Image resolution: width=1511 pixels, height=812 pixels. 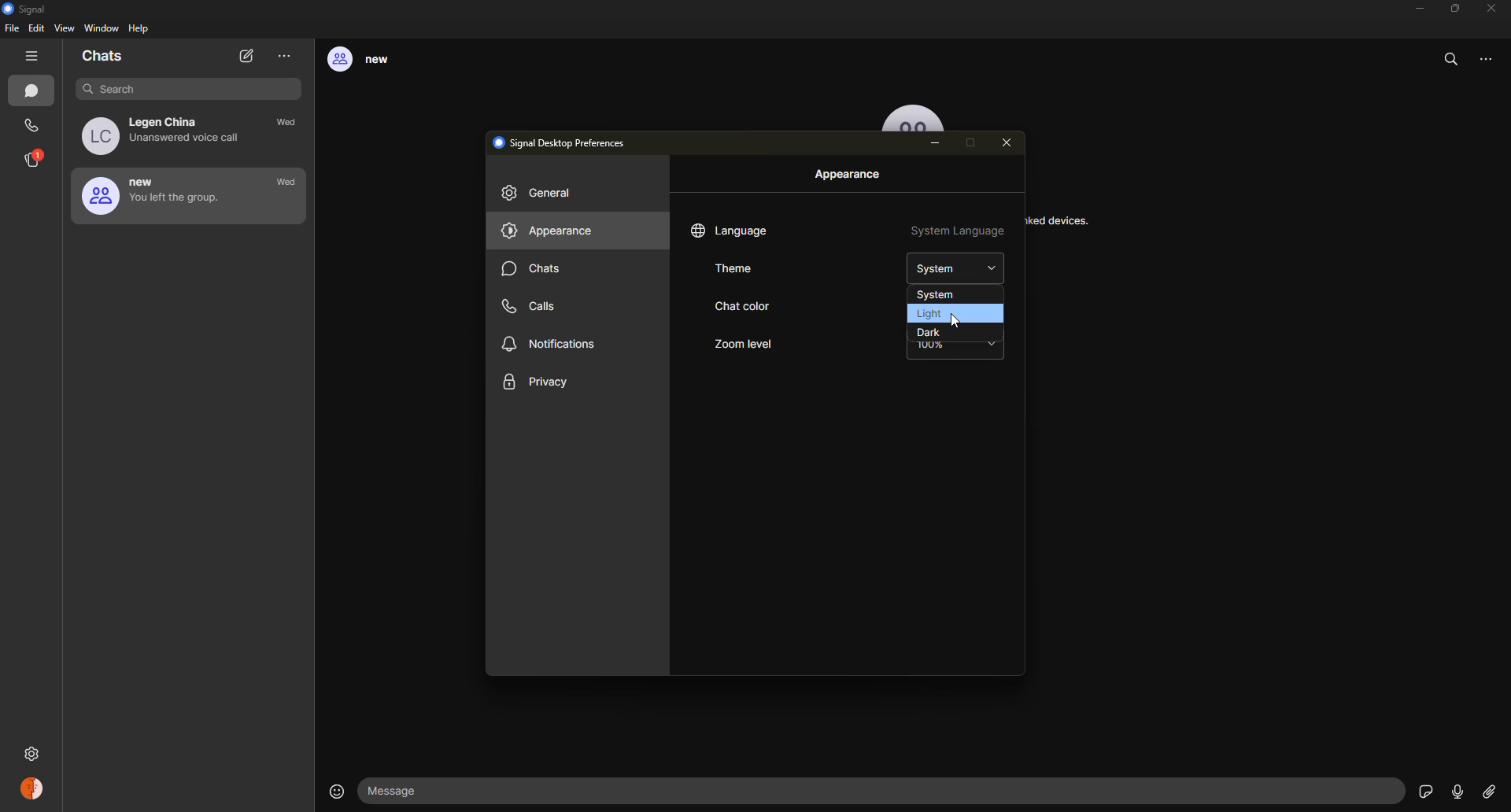 I want to click on signal desktop preferences, so click(x=565, y=142).